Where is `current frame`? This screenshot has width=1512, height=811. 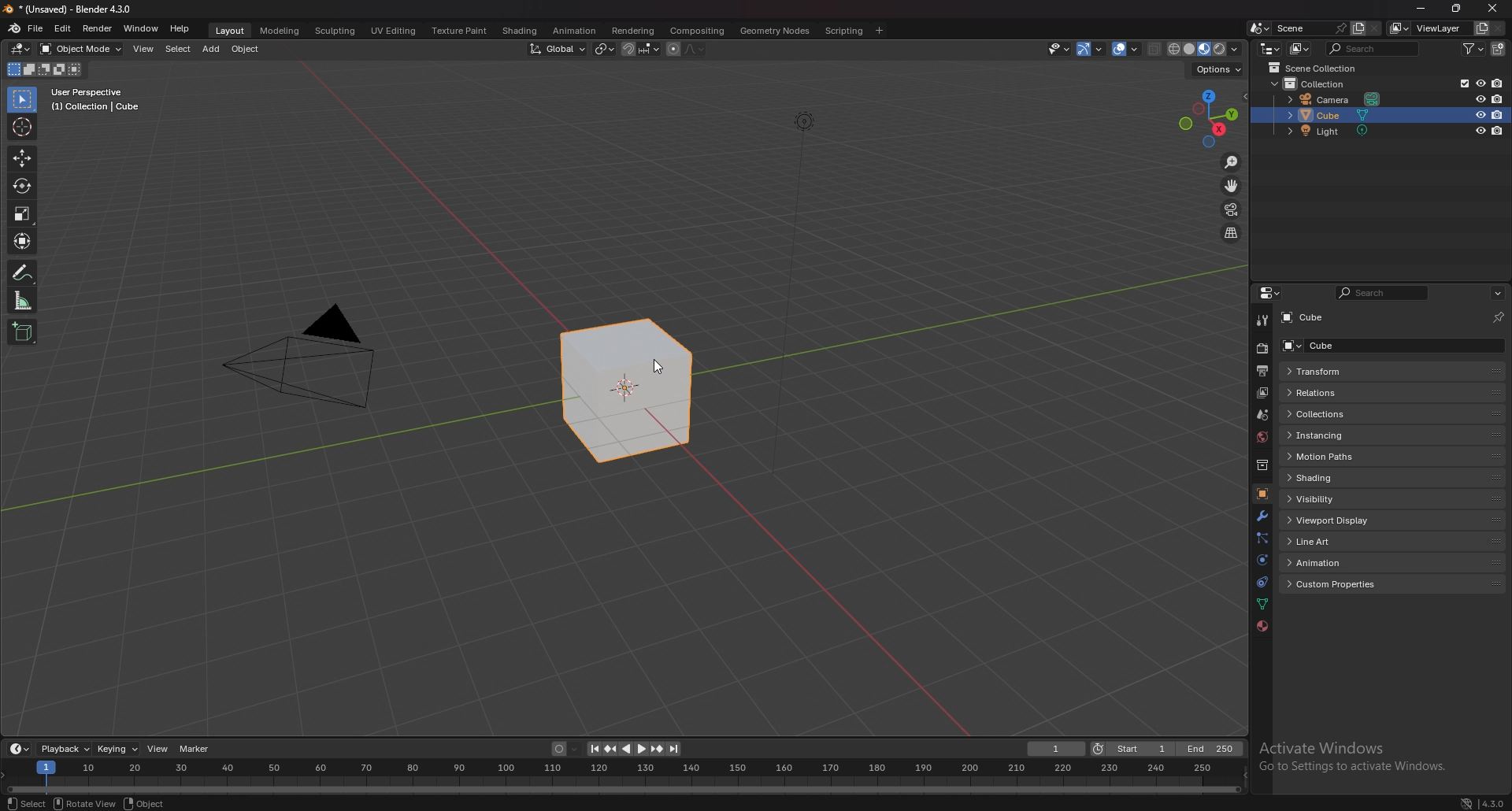
current frame is located at coordinates (1057, 748).